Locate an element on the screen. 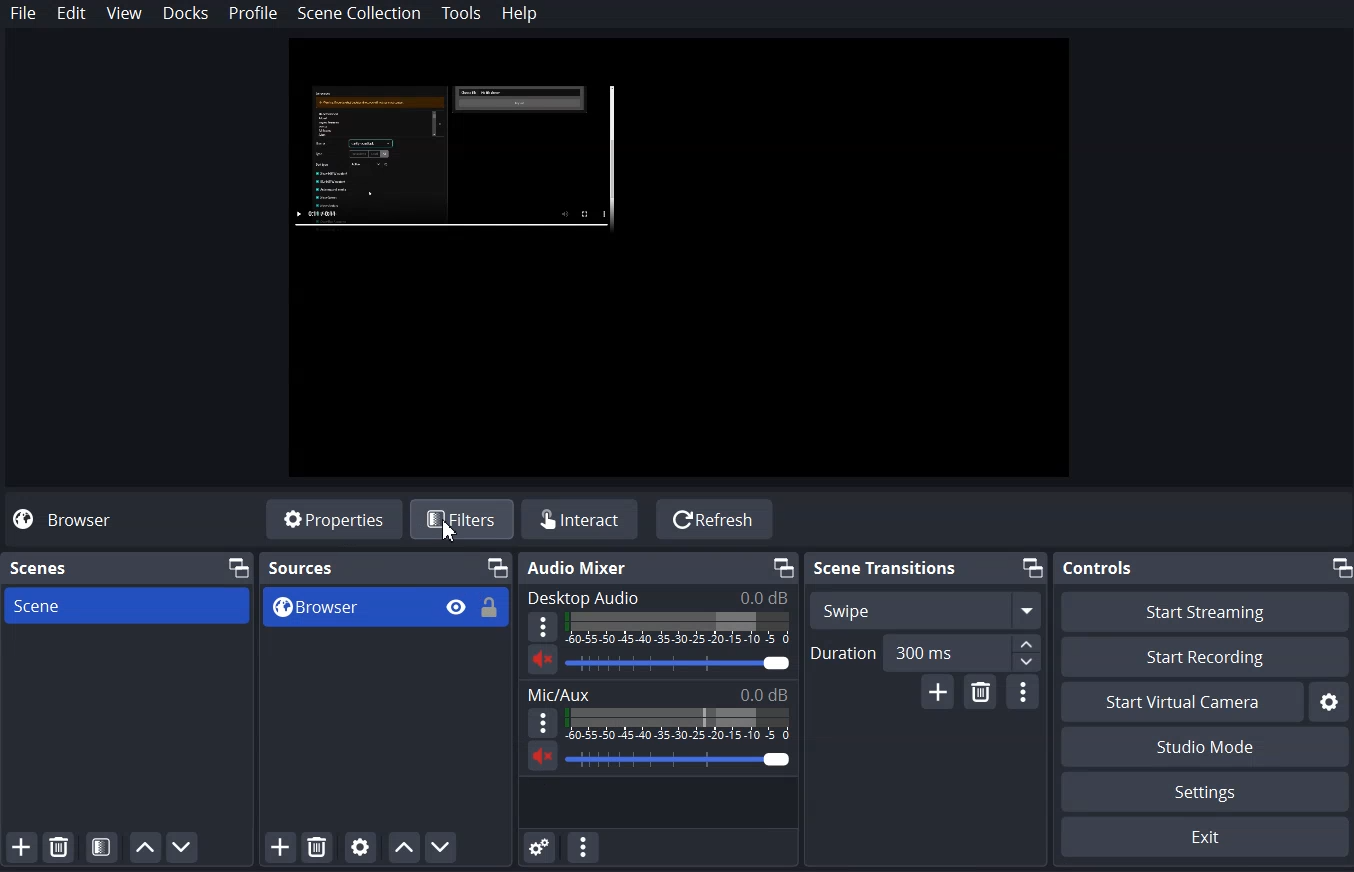 The width and height of the screenshot is (1354, 872). Add Scene is located at coordinates (20, 847).